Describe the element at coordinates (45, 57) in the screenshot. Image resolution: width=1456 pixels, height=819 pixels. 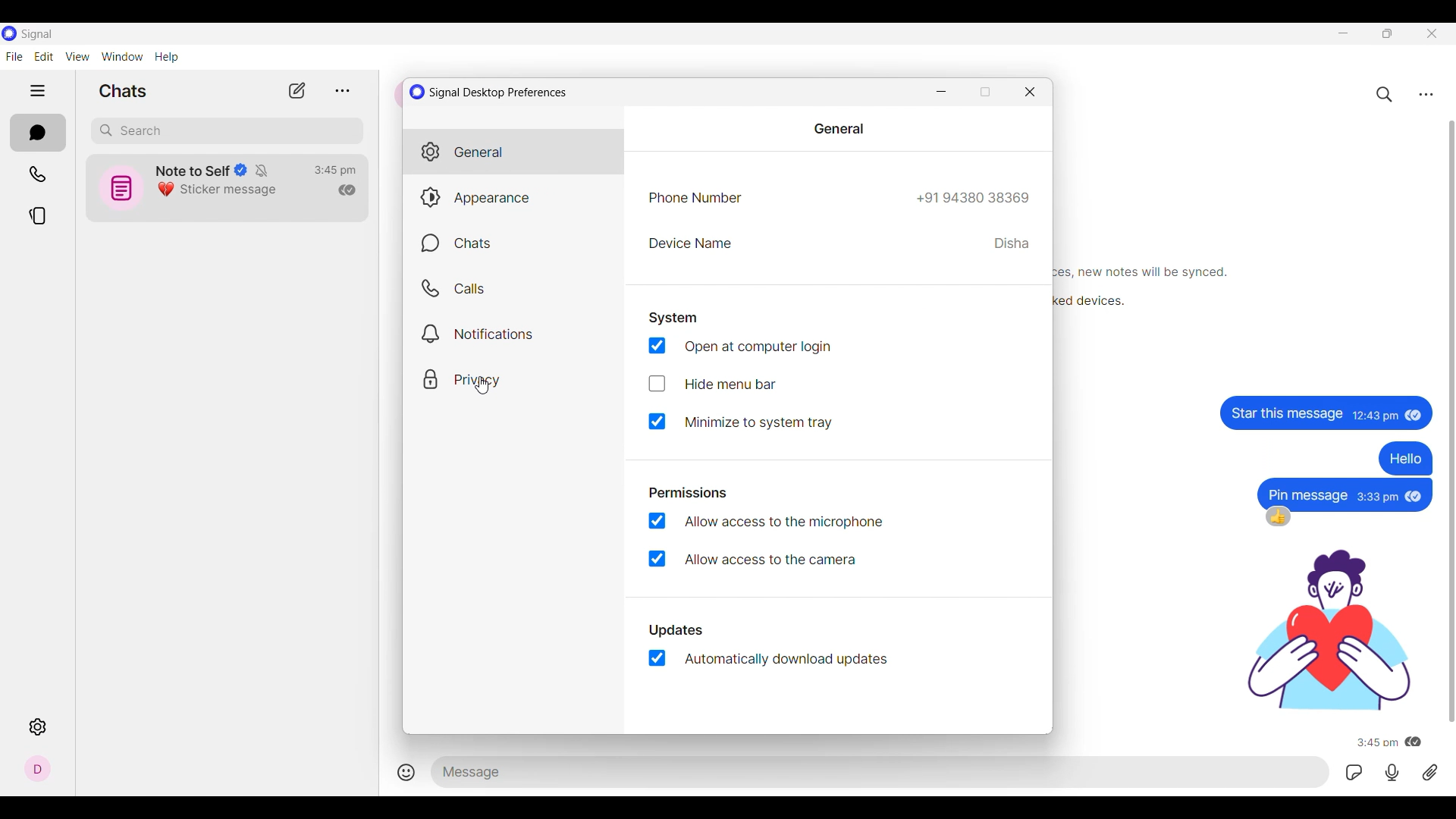
I see `Edit menu` at that location.